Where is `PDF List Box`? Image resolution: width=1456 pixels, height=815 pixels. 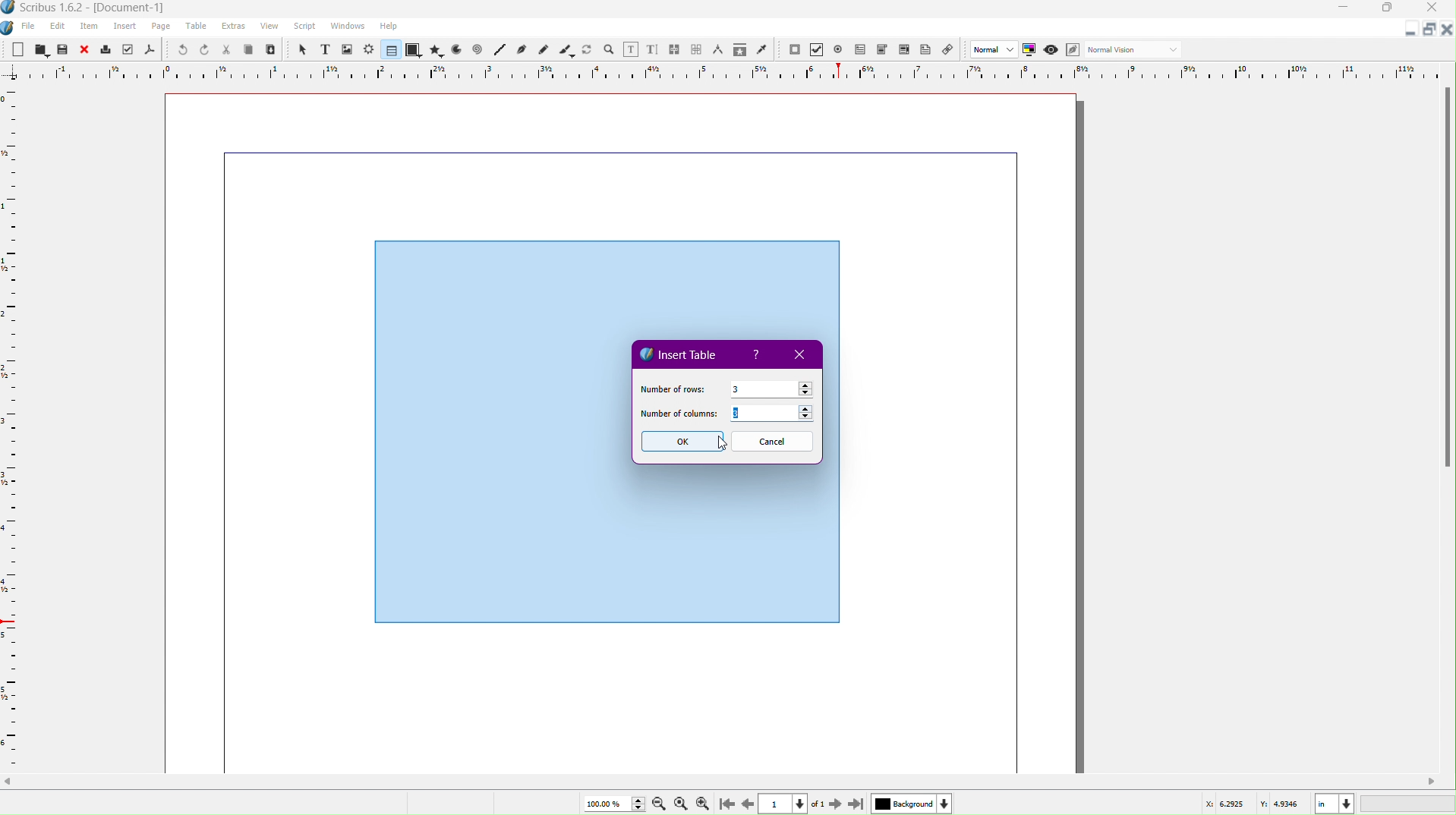 PDF List Box is located at coordinates (903, 52).